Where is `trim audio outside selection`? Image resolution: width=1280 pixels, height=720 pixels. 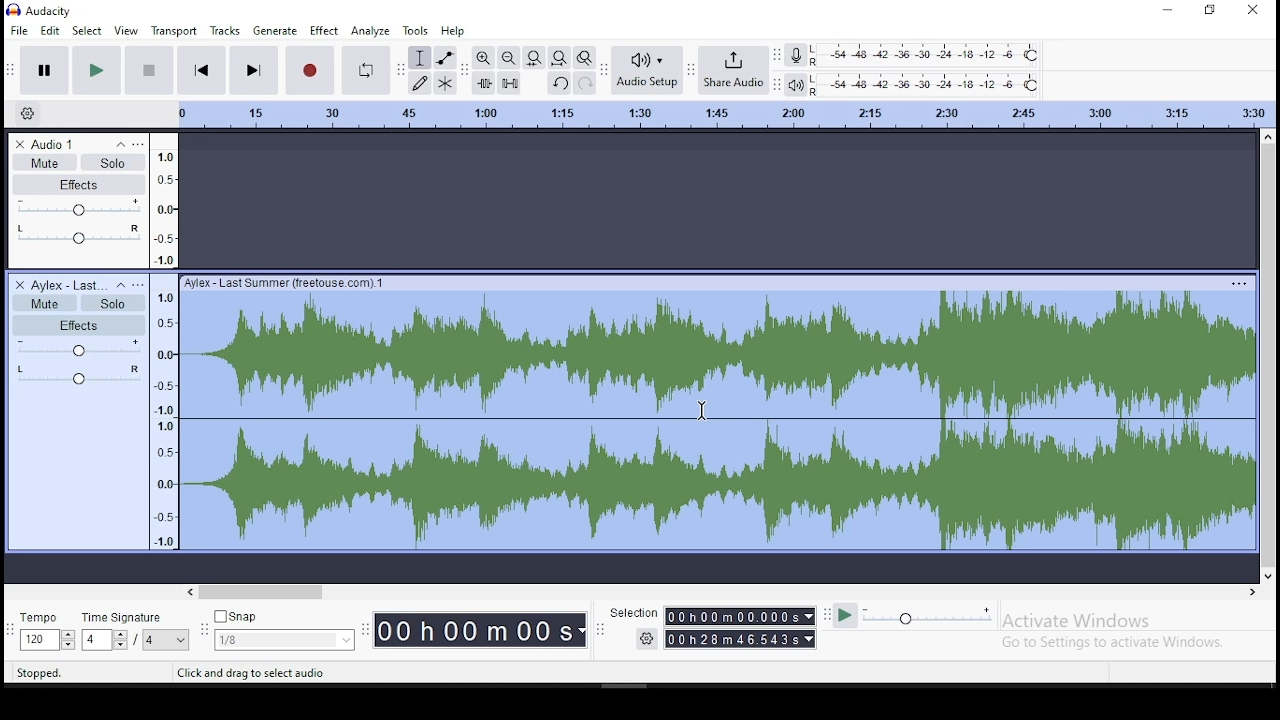 trim audio outside selection is located at coordinates (482, 82).